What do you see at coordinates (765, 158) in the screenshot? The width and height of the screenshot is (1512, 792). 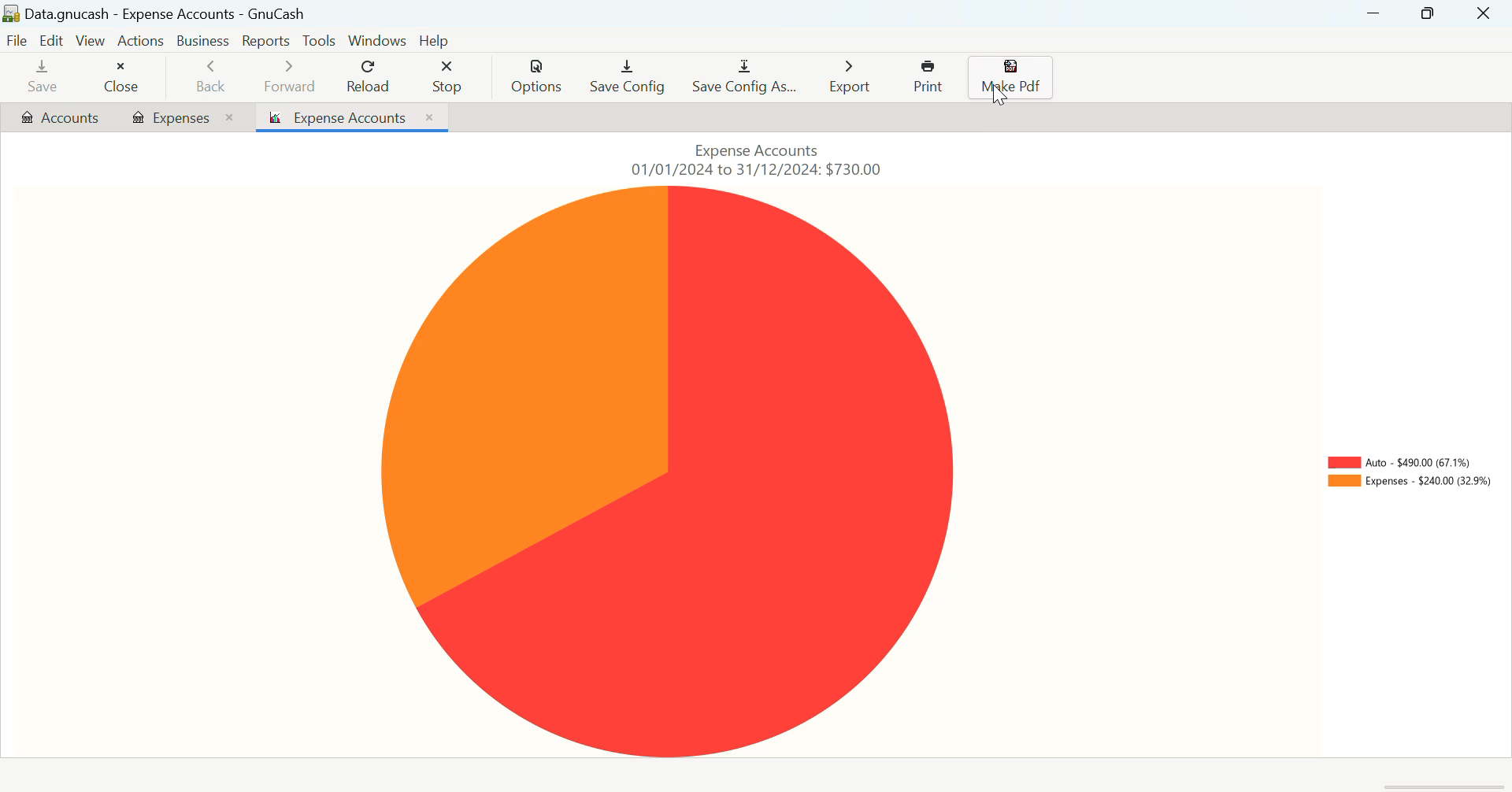 I see `Expense Accounts 01/01/2024 to 31/12/2024: $730.00` at bounding box center [765, 158].